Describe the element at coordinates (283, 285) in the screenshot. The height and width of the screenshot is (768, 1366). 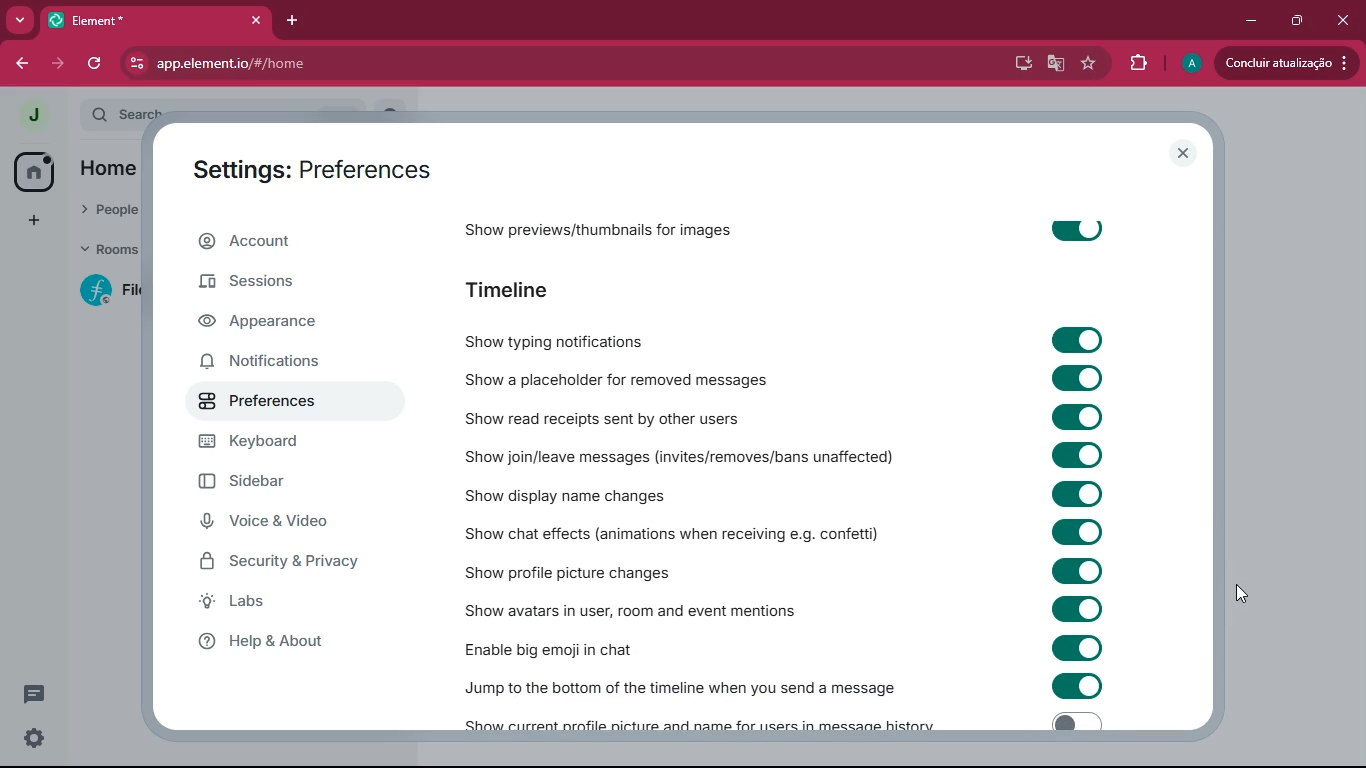
I see `sessions` at that location.